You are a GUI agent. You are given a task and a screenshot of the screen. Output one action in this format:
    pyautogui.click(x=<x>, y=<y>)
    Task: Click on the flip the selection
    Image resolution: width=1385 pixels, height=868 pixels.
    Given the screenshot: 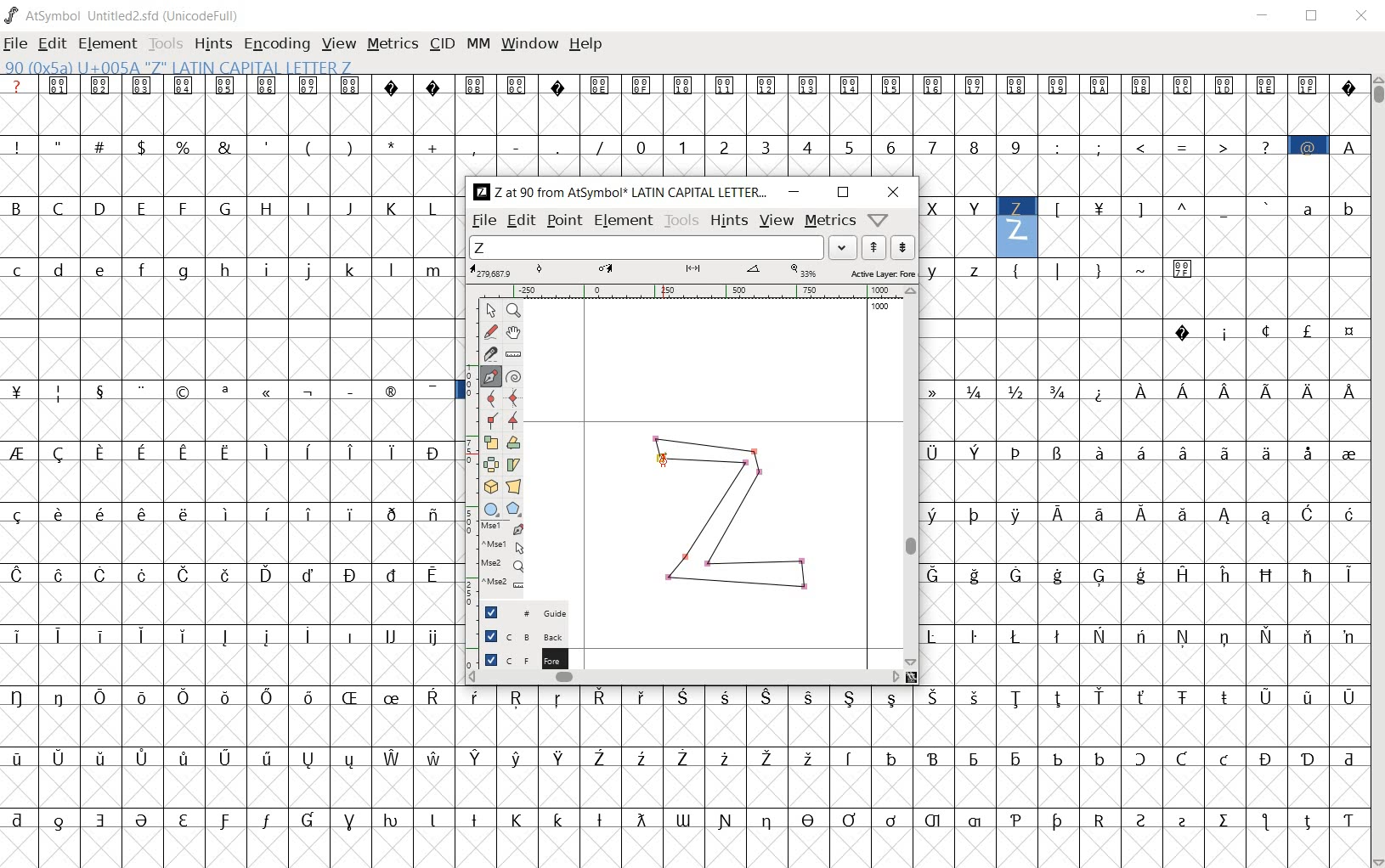 What is the action you would take?
    pyautogui.click(x=490, y=465)
    